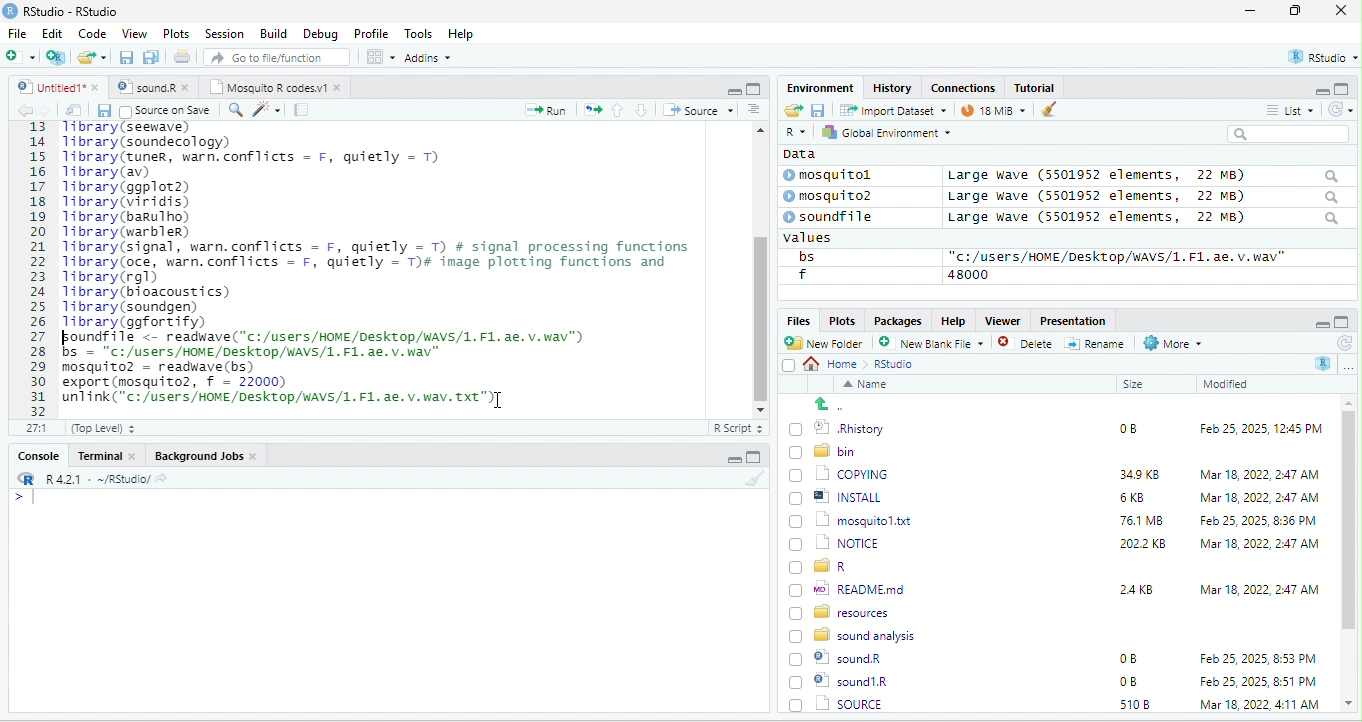 This screenshot has width=1362, height=722. I want to click on © Untitied1* », so click(54, 87).